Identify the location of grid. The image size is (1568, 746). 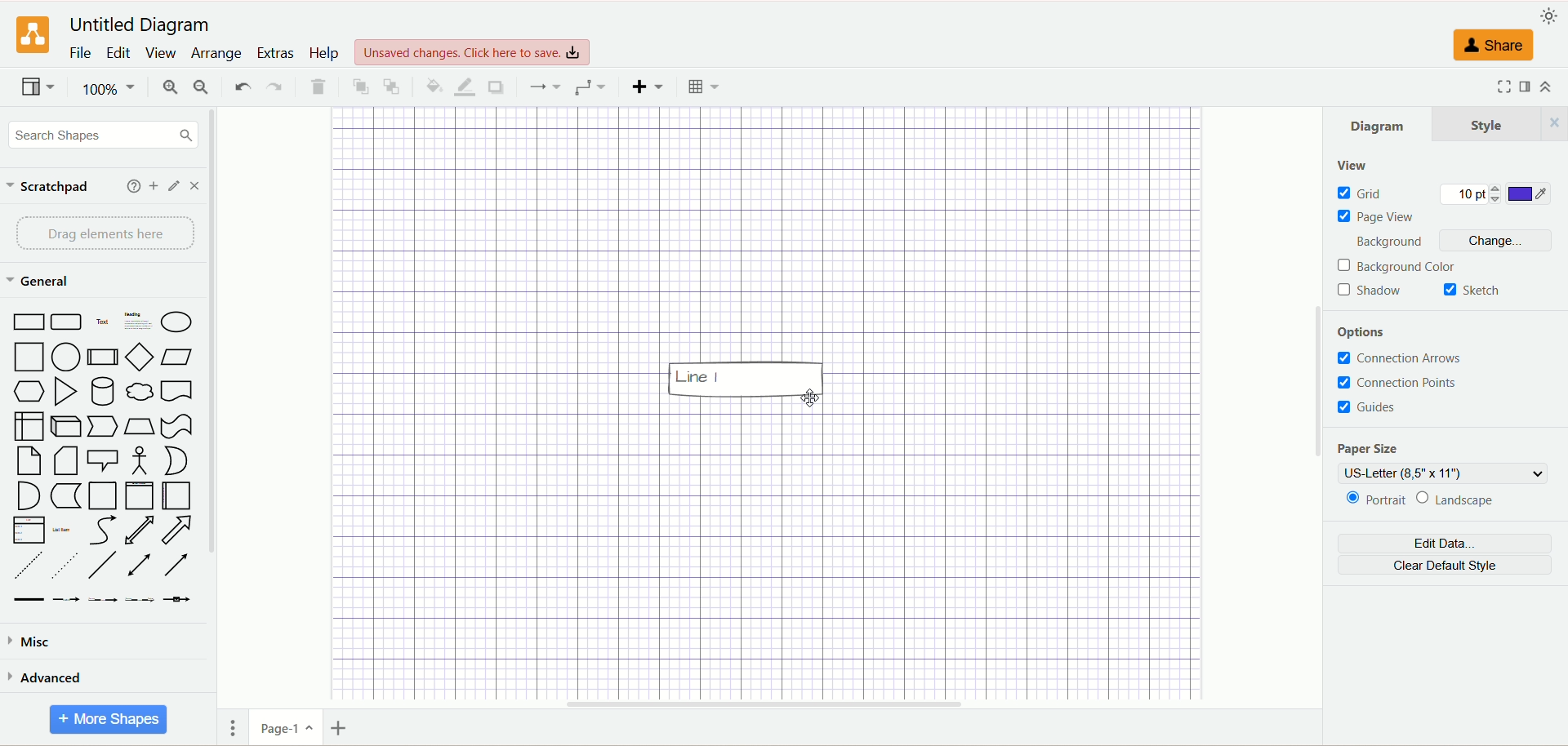
(1361, 193).